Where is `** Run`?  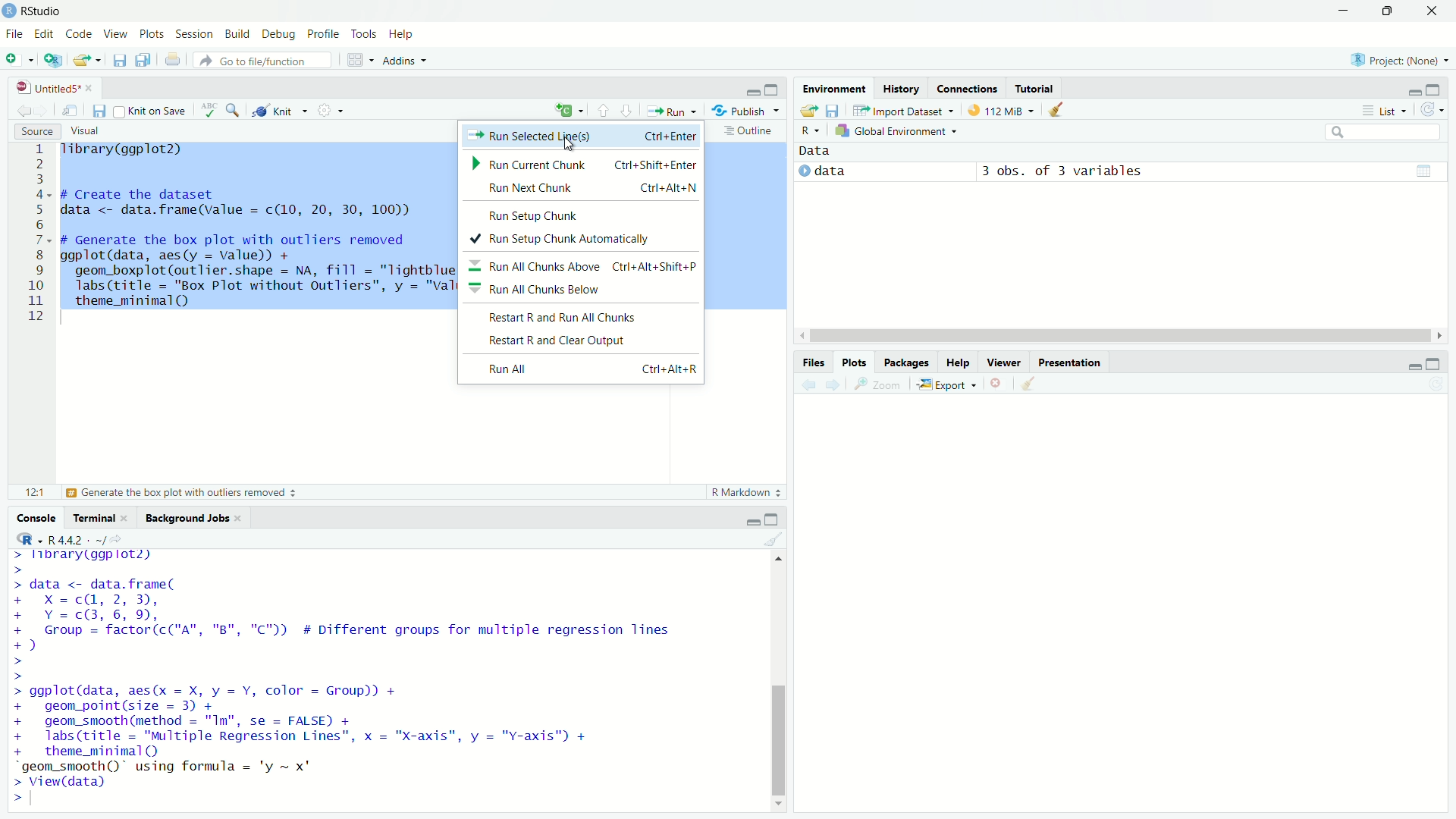 ** Run is located at coordinates (670, 113).